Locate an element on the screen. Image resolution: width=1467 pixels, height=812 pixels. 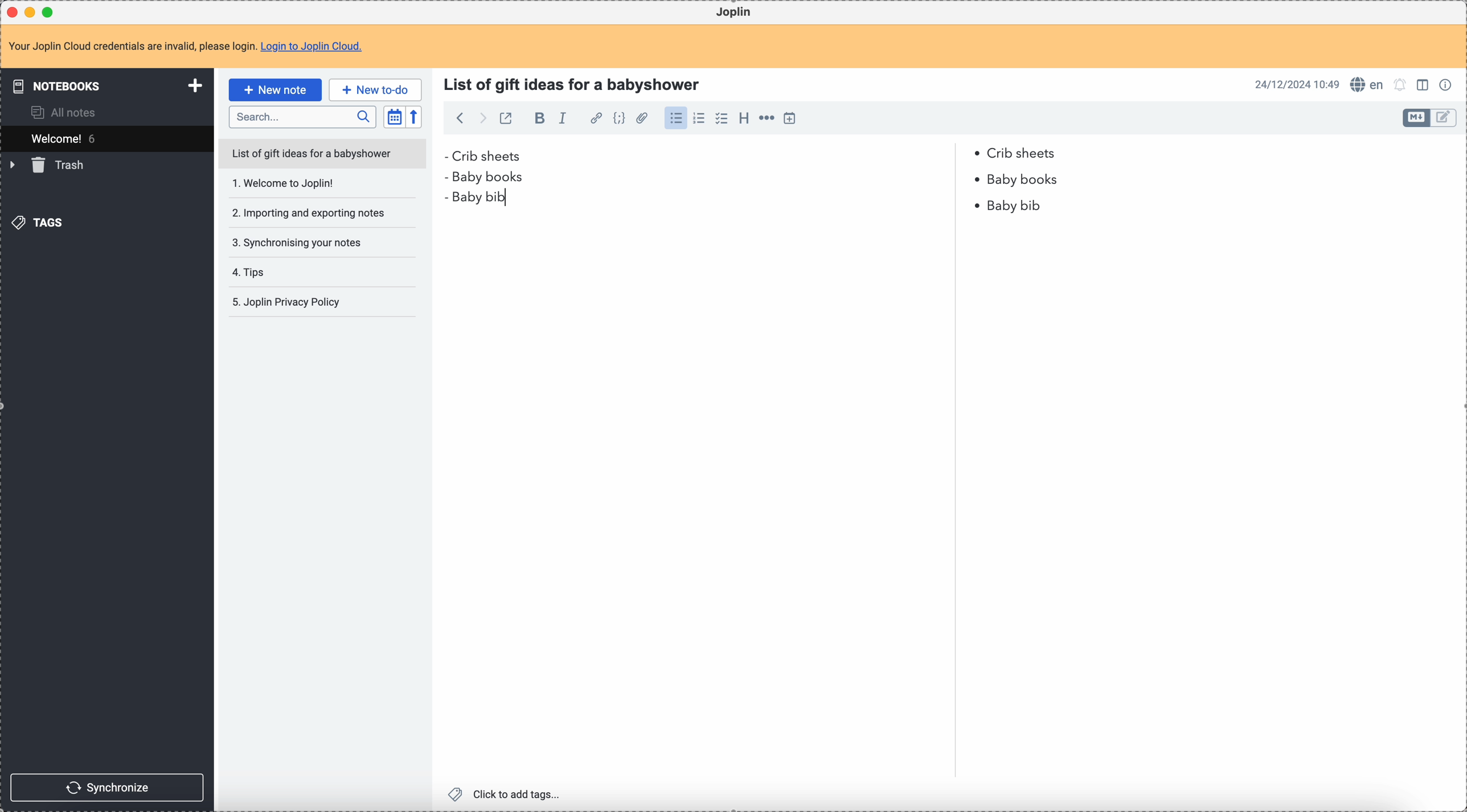
new to-do is located at coordinates (375, 89).